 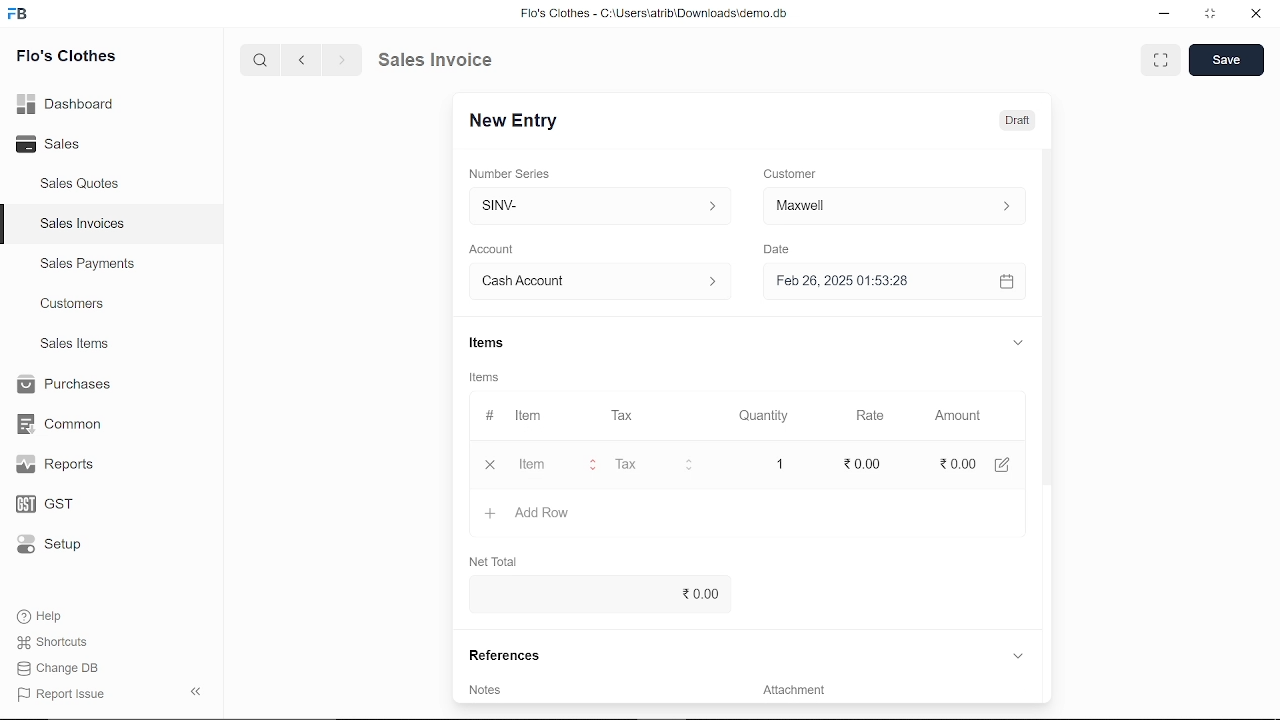 I want to click on SINV- , so click(x=595, y=206).